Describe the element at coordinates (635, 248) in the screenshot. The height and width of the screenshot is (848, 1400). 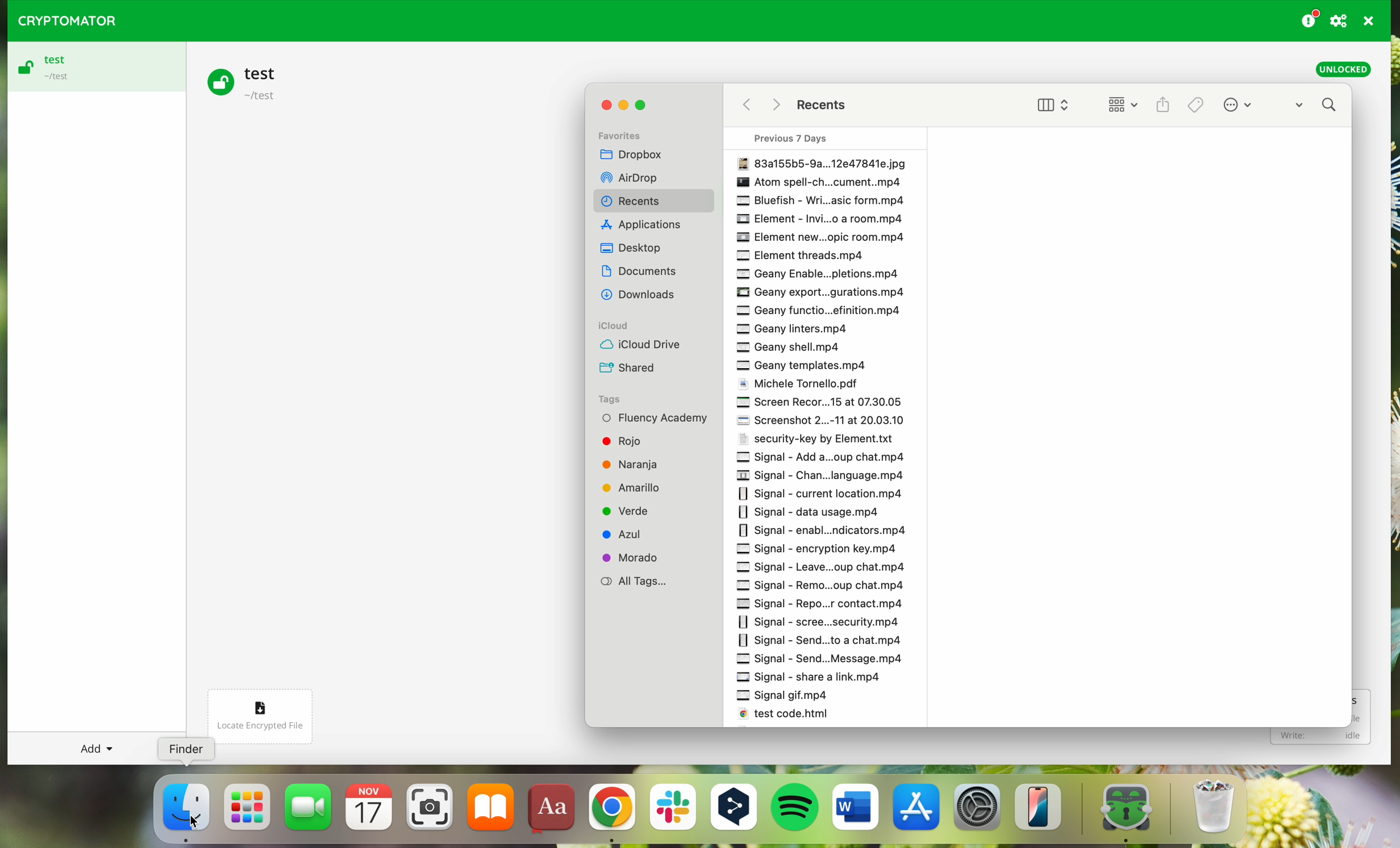
I see `Dekstop` at that location.